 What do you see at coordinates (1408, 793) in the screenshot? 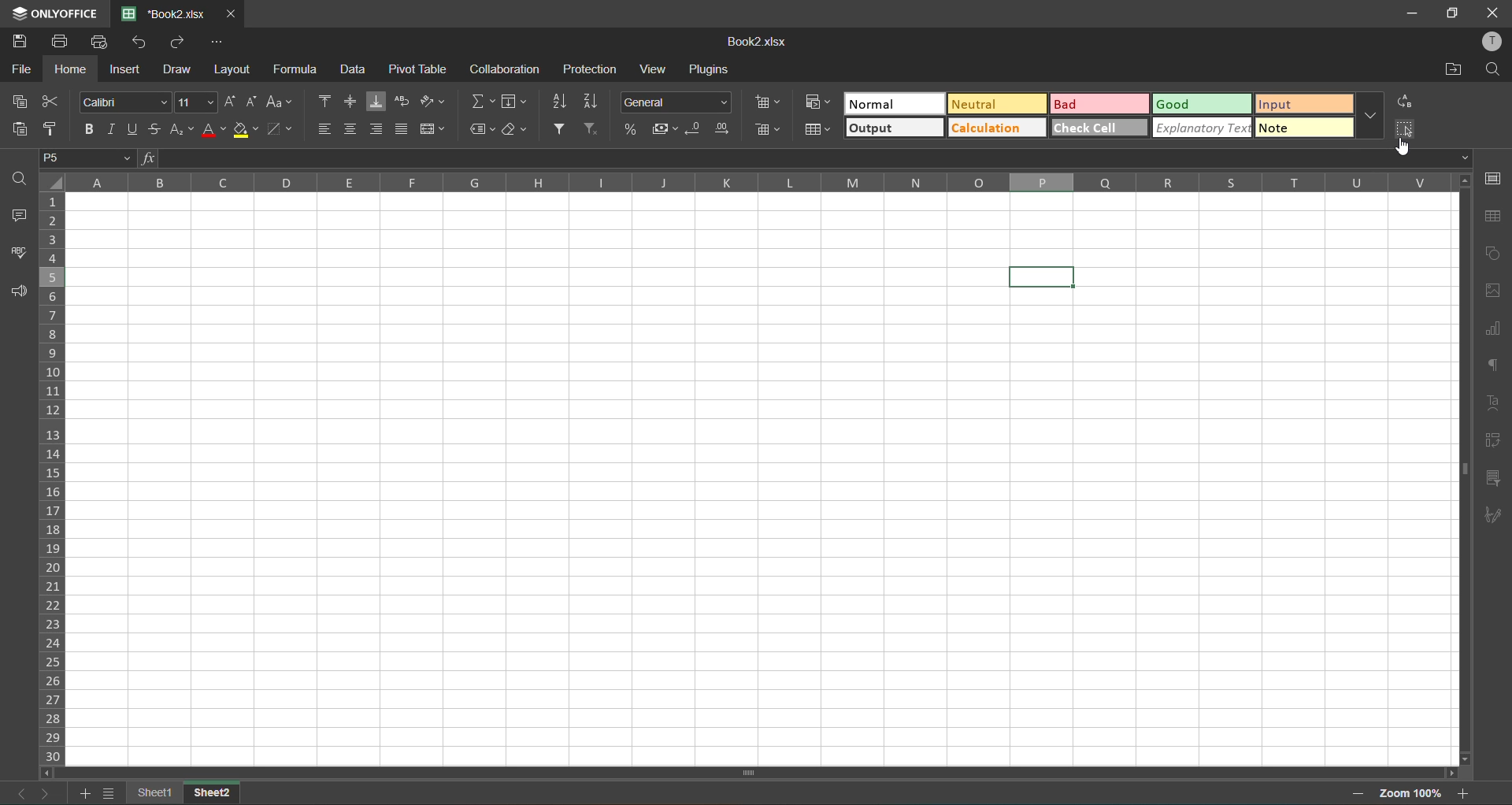
I see `zoom 100%` at bounding box center [1408, 793].